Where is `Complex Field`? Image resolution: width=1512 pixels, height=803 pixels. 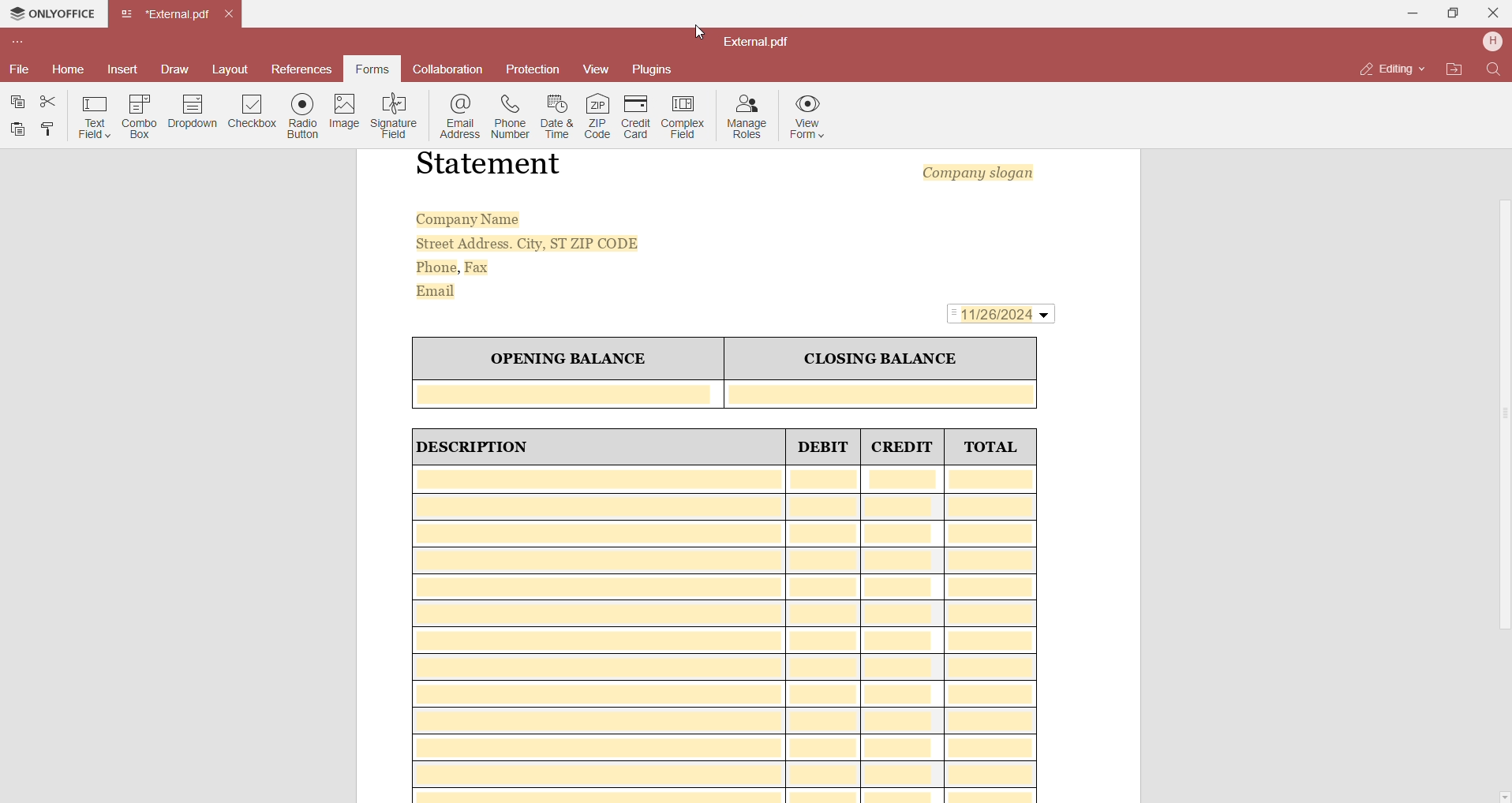 Complex Field is located at coordinates (686, 116).